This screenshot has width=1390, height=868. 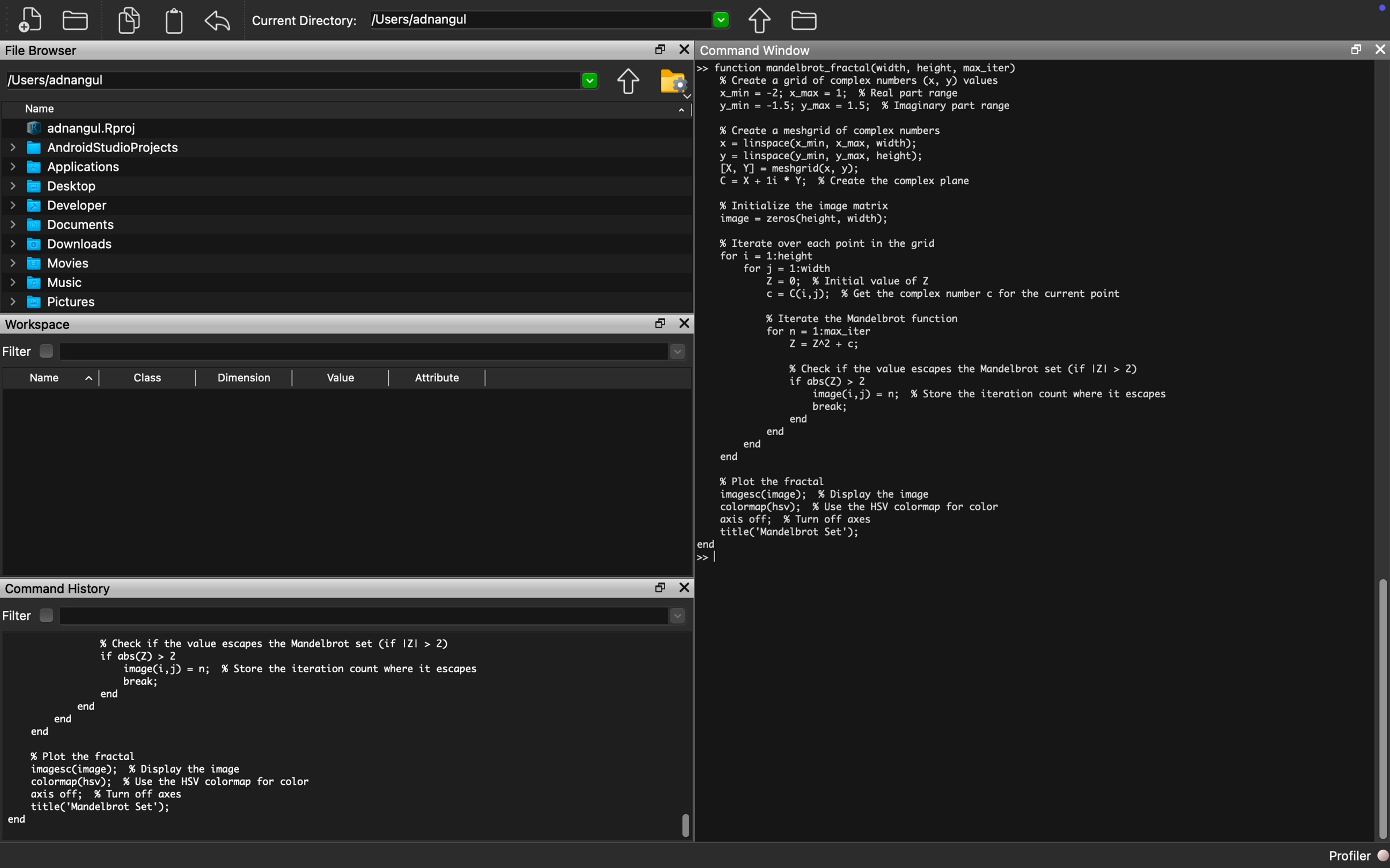 What do you see at coordinates (851, 519) in the screenshot?
I see `% Plot the fractal
imagesc(image); % Display the image]
colormapChsv); % Use the HSV colormap for color]
axis off; % Turn off axes]
title('Mandelbrot Set');

end` at bounding box center [851, 519].